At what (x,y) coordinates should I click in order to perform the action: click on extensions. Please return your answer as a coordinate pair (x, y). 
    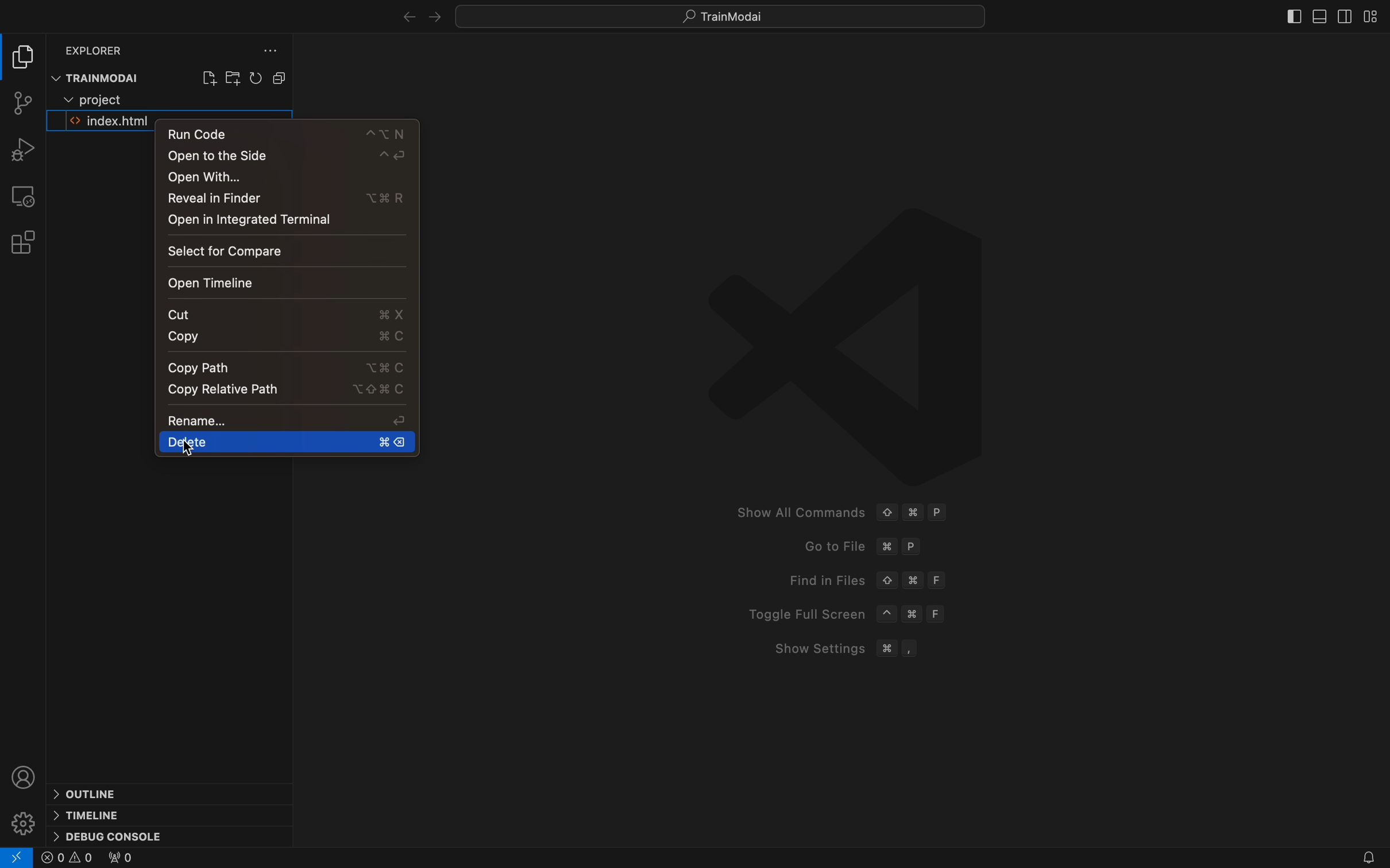
    Looking at the image, I should click on (25, 241).